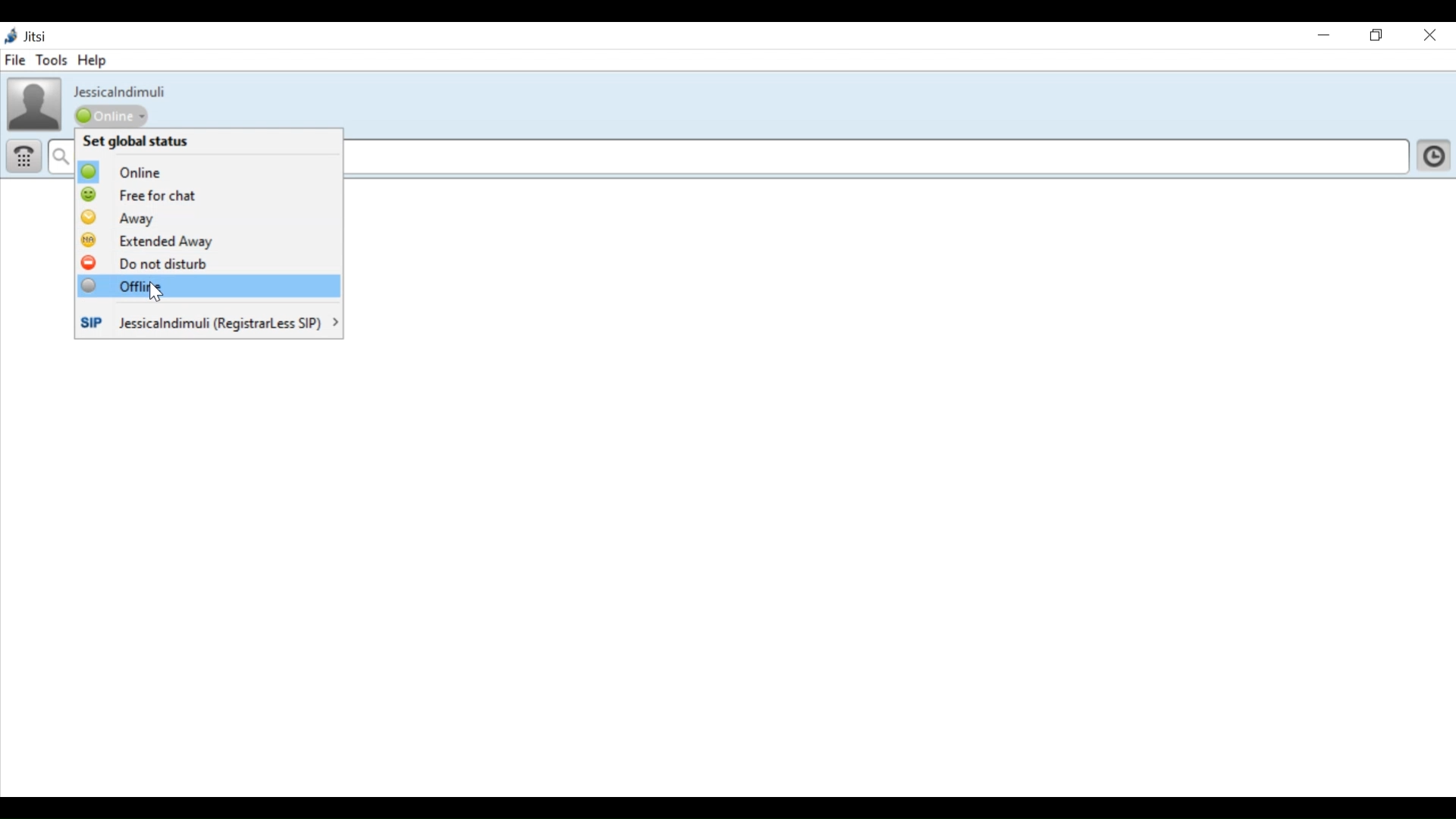  I want to click on Click here to show history and show your contact list, so click(1434, 155).